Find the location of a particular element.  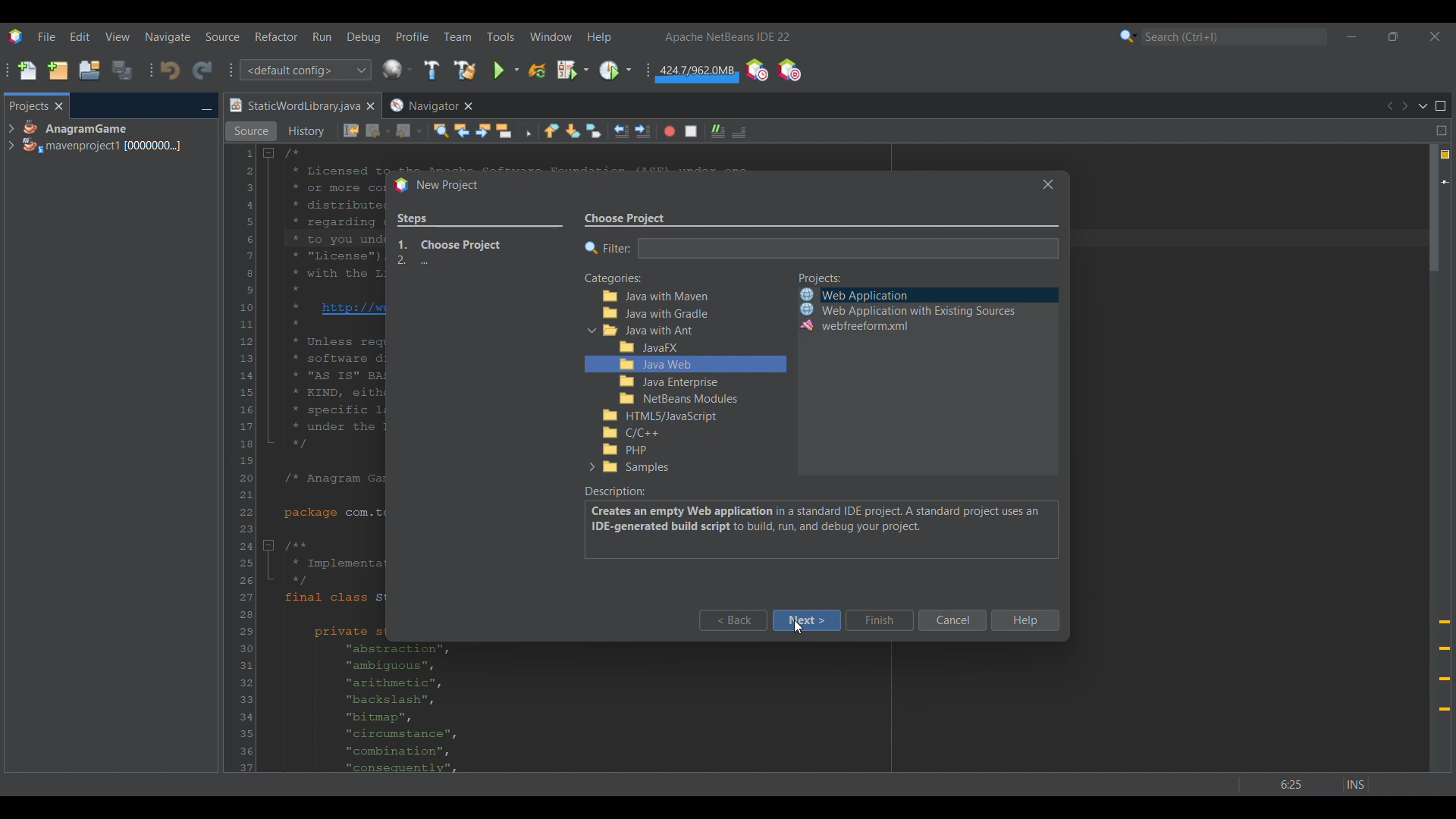

Projects, current tab highlighted is located at coordinates (28, 105).